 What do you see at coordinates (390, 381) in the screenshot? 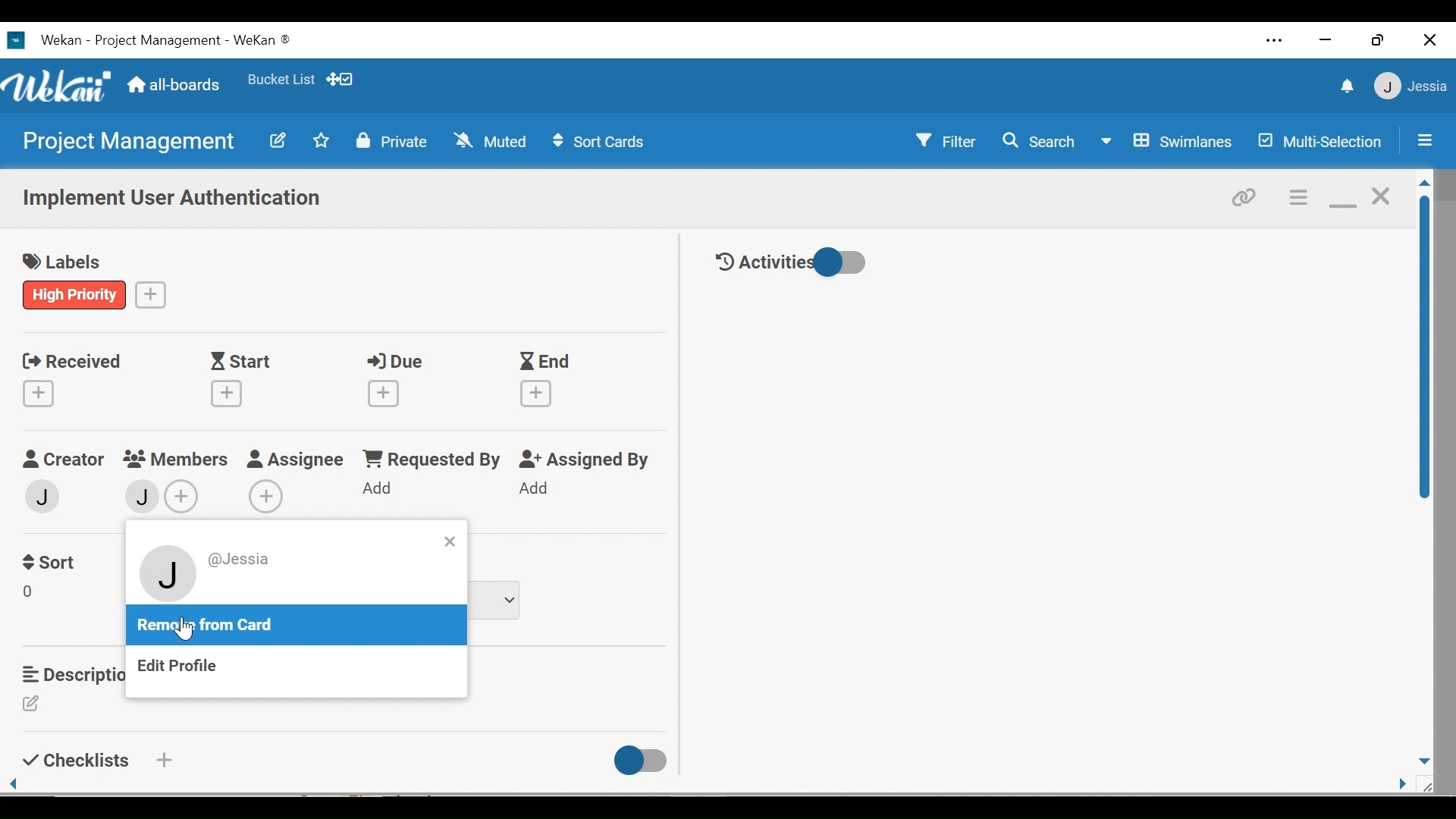
I see ` Due` at bounding box center [390, 381].